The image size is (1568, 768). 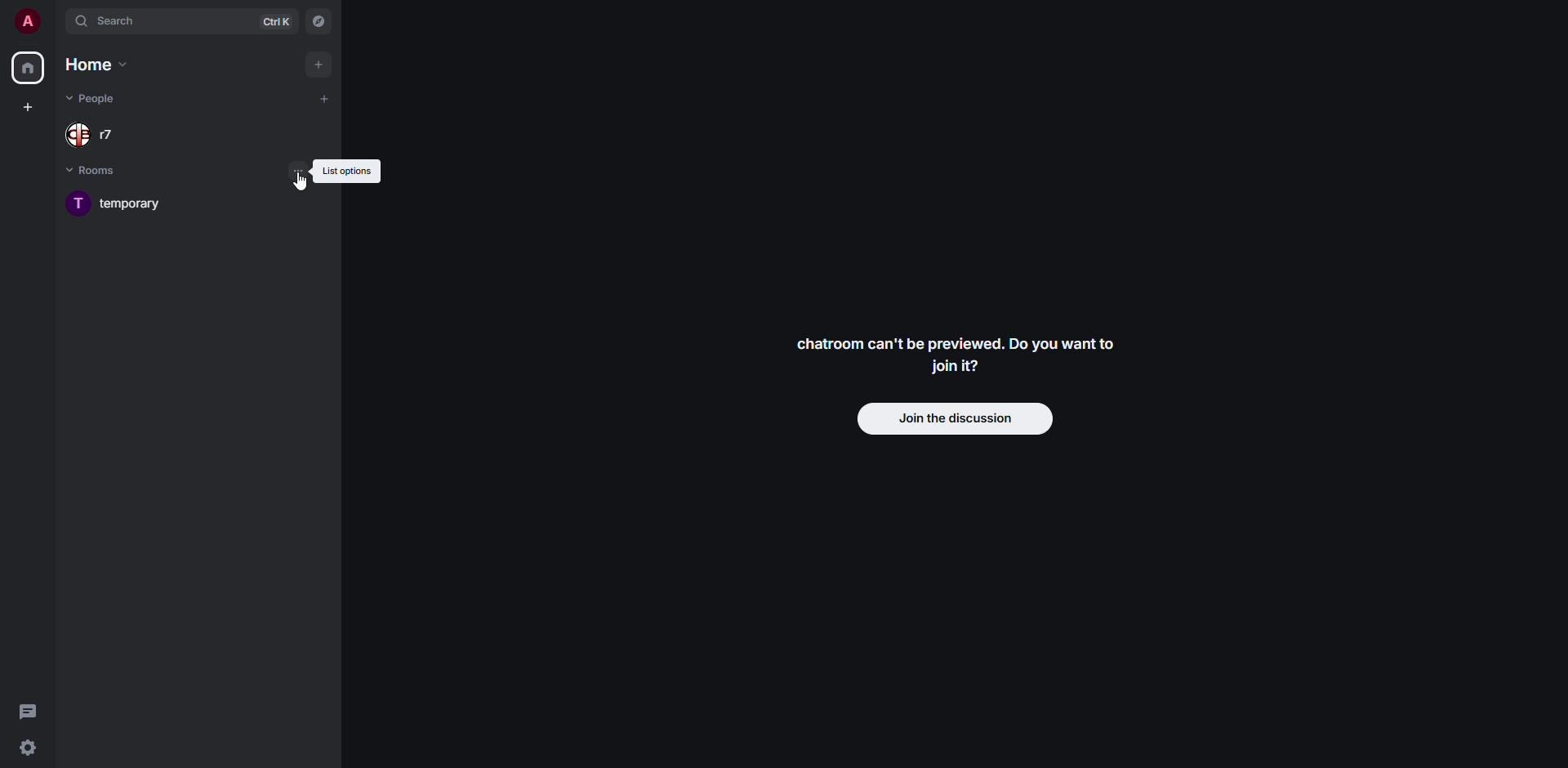 What do you see at coordinates (26, 22) in the screenshot?
I see `profile` at bounding box center [26, 22].